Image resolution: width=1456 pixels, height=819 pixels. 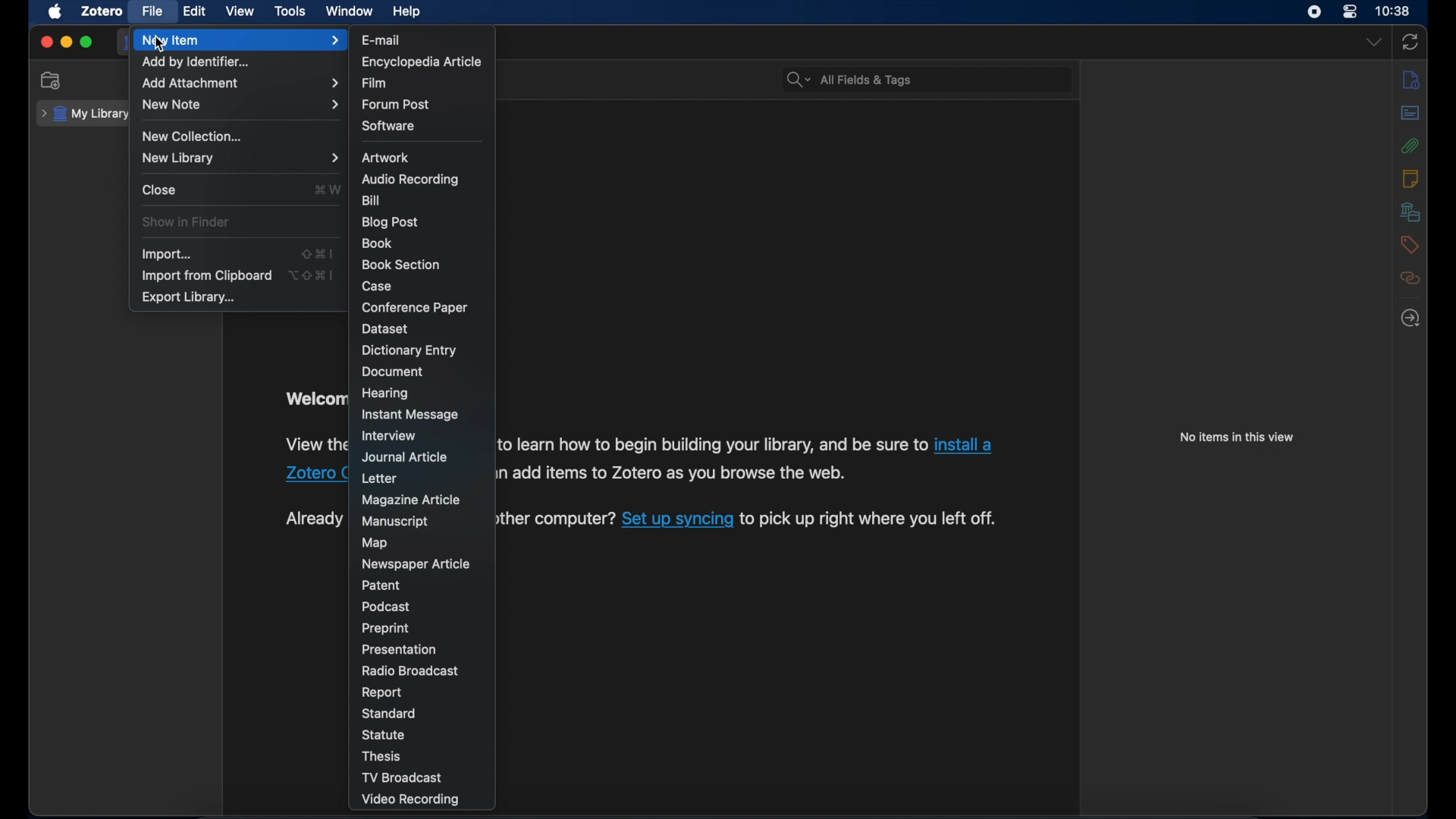 I want to click on show in finder, so click(x=187, y=221).